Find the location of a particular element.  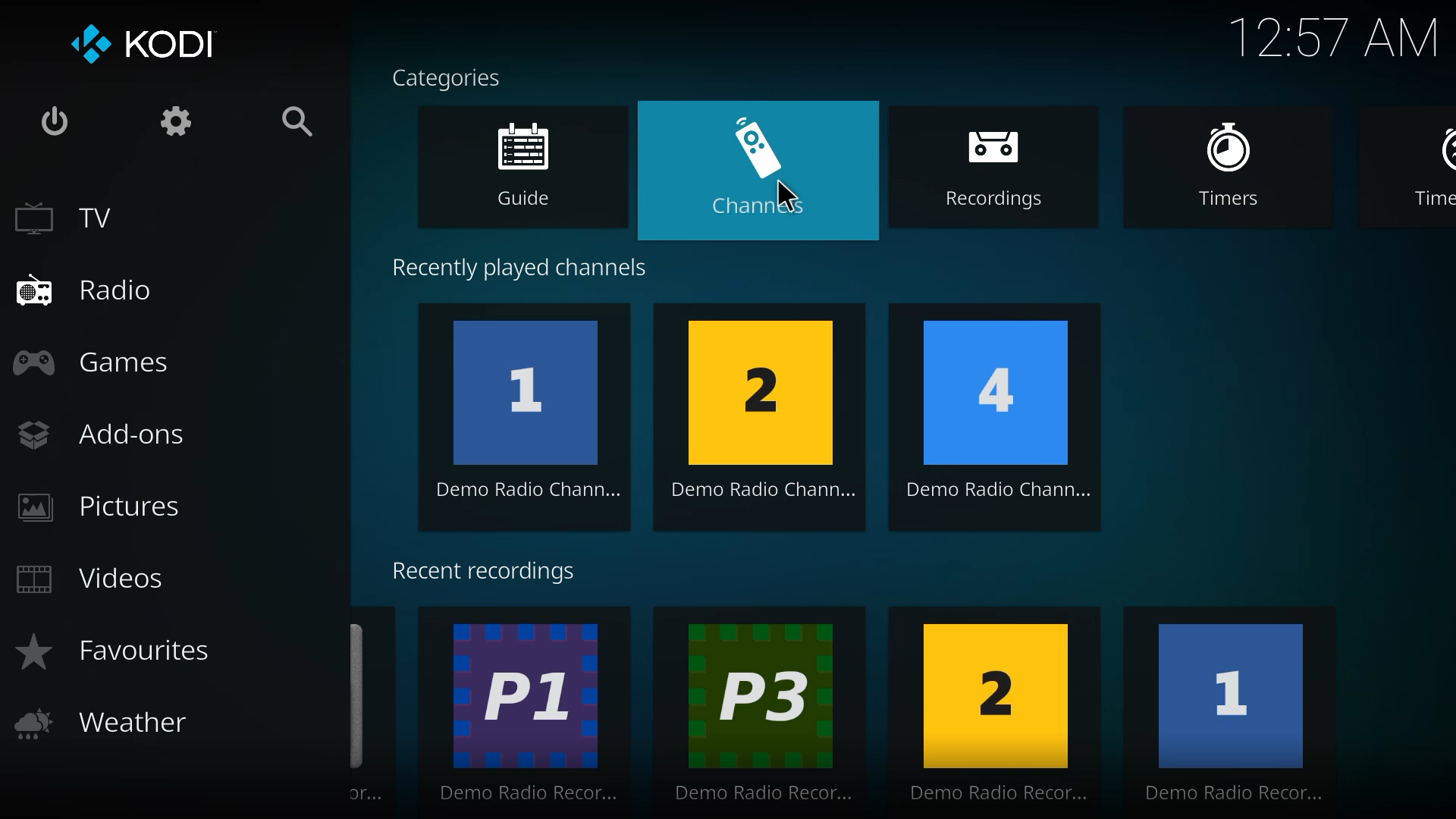

tv is located at coordinates (65, 219).